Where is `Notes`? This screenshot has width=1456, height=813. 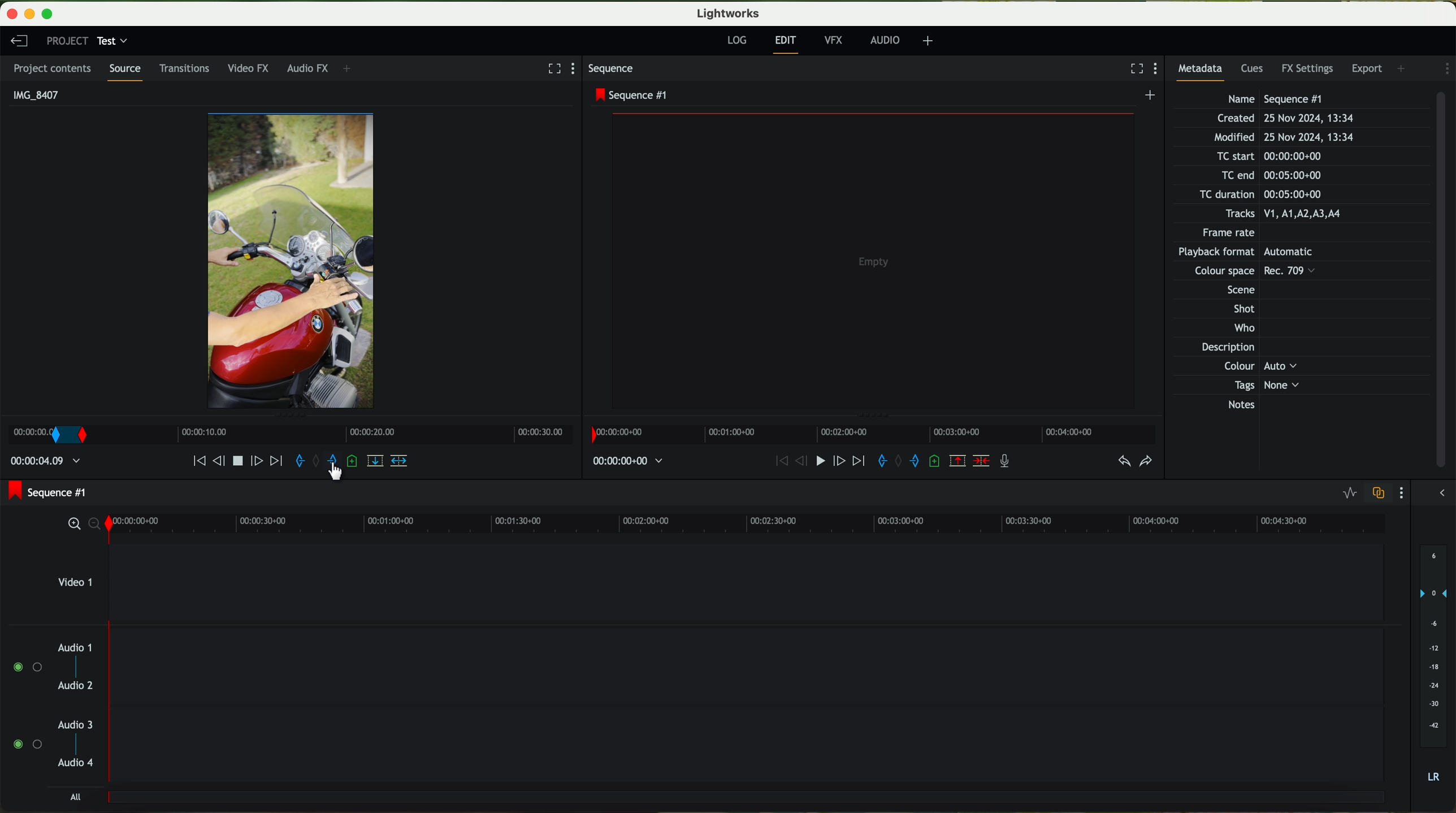
Notes is located at coordinates (1255, 405).